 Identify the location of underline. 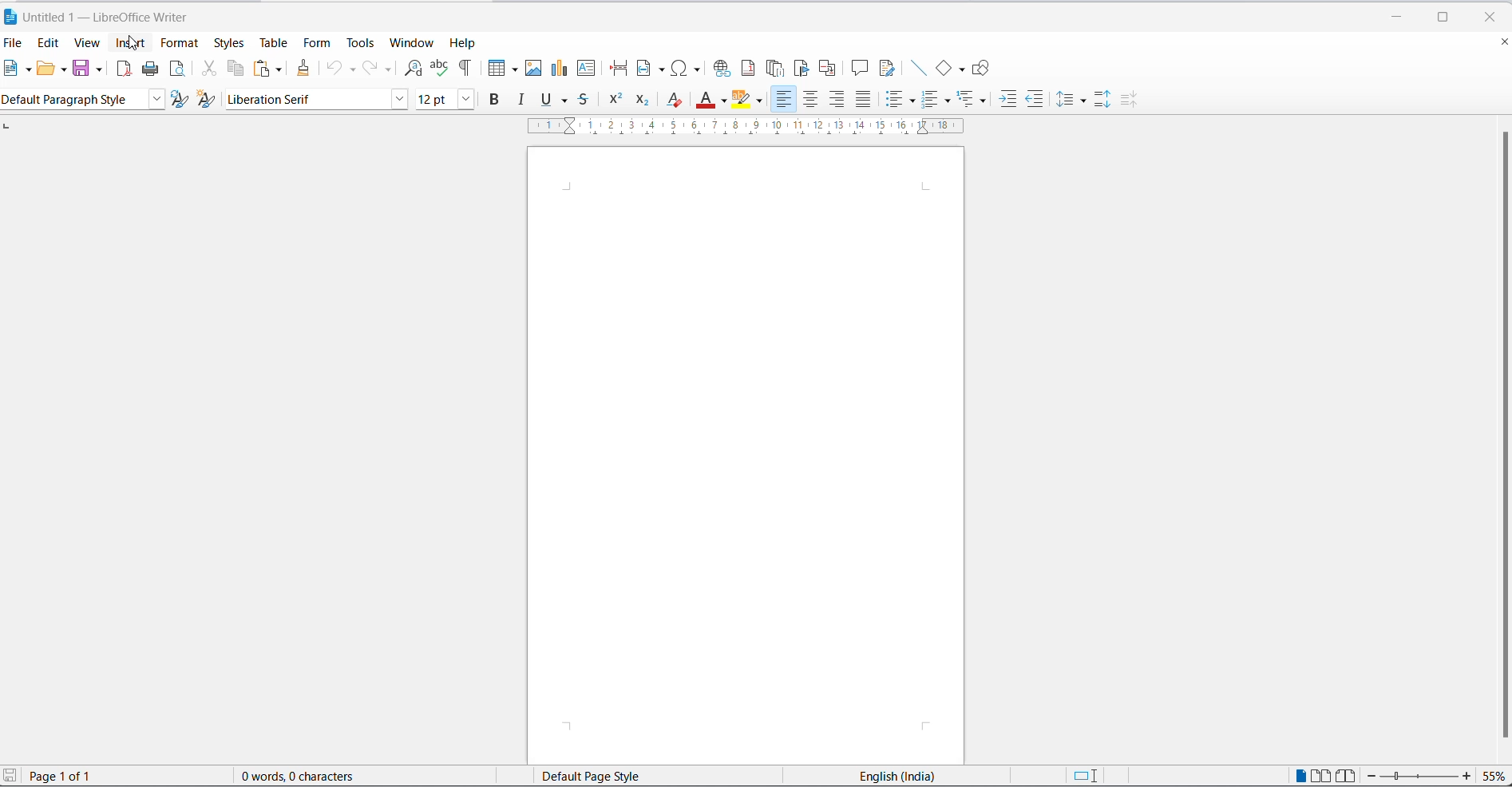
(544, 100).